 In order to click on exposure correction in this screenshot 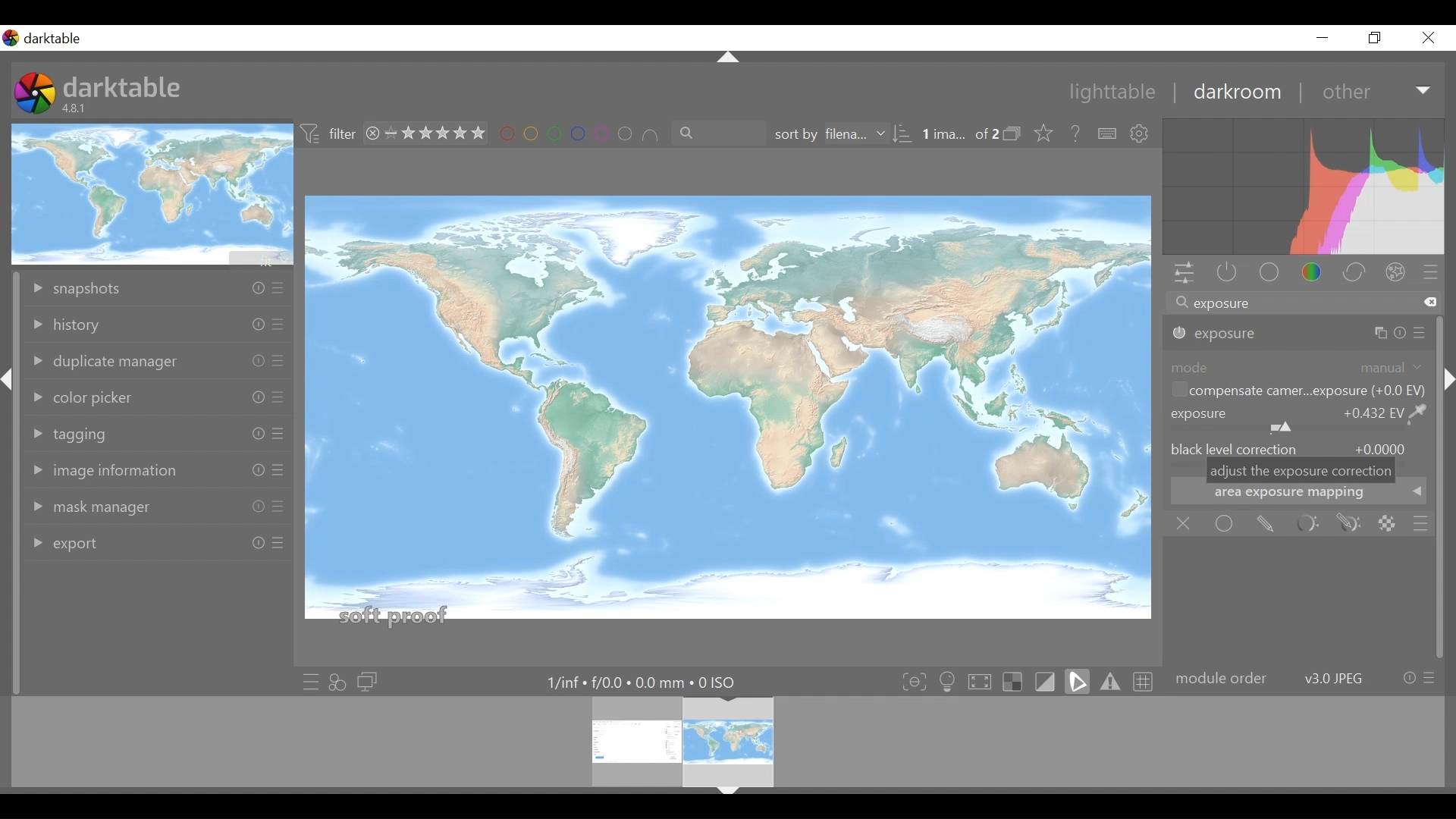, I will do `click(1216, 334)`.